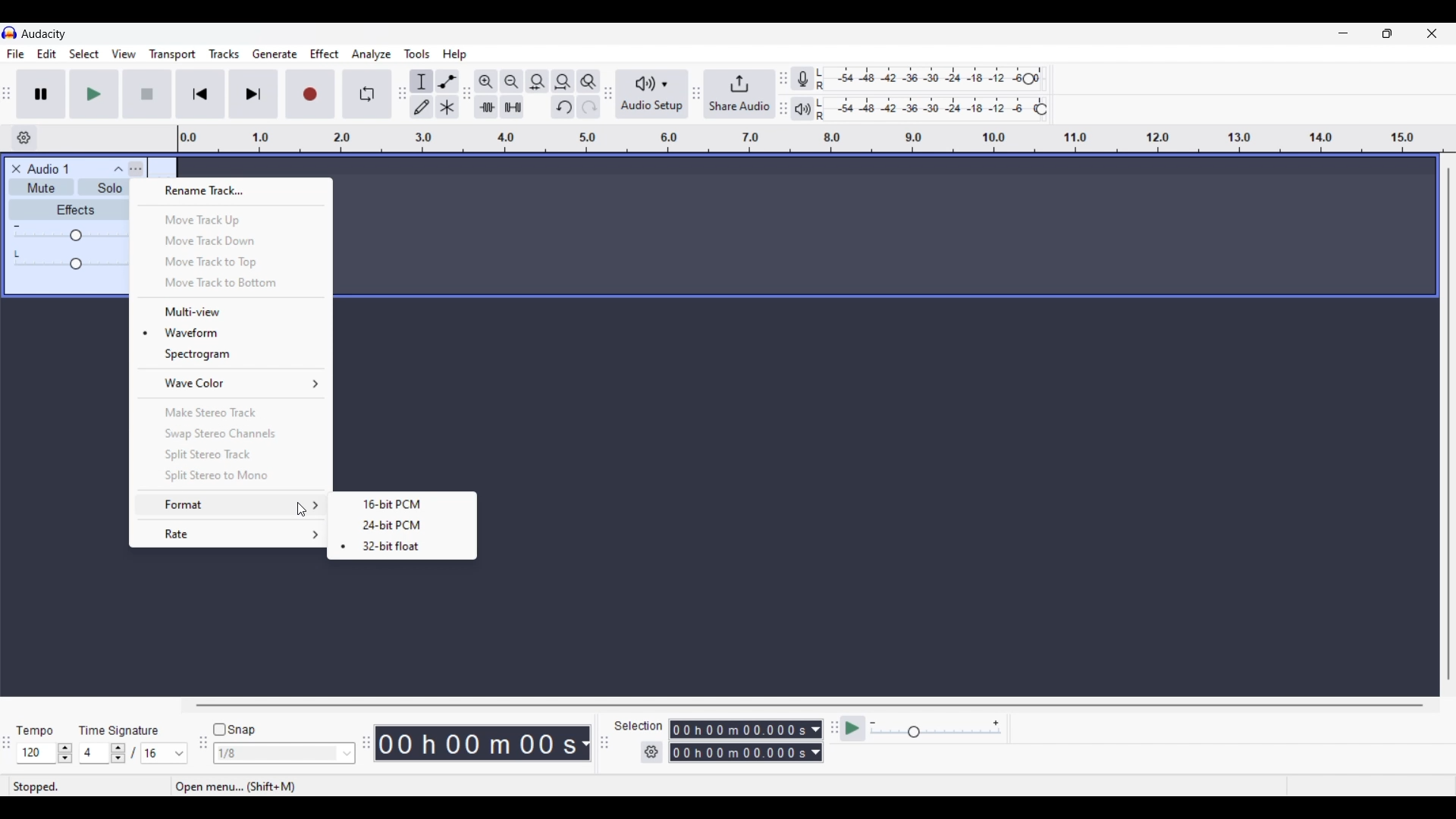  What do you see at coordinates (810, 705) in the screenshot?
I see `Horizontal slide bar` at bounding box center [810, 705].